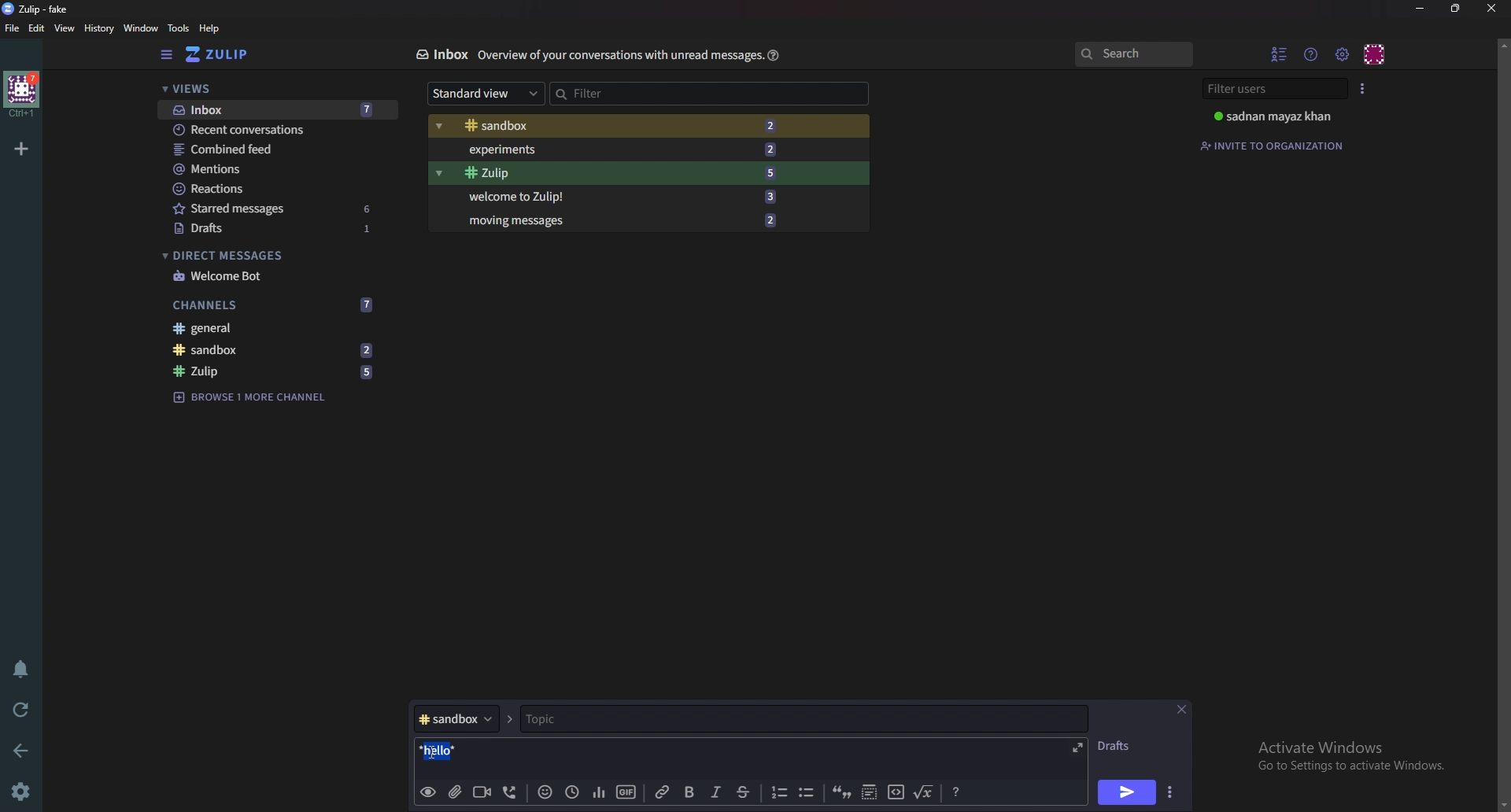  What do you see at coordinates (268, 254) in the screenshot?
I see `Direct messages` at bounding box center [268, 254].